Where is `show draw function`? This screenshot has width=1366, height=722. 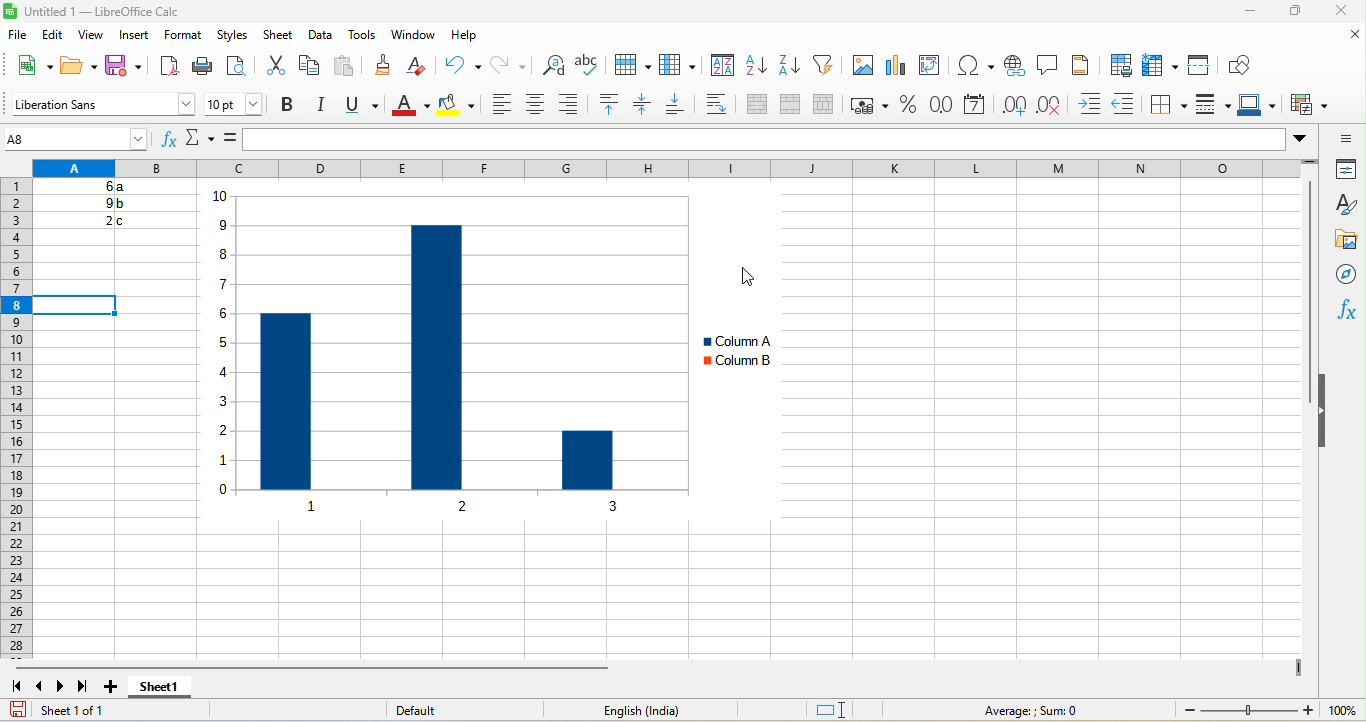 show draw function is located at coordinates (1242, 62).